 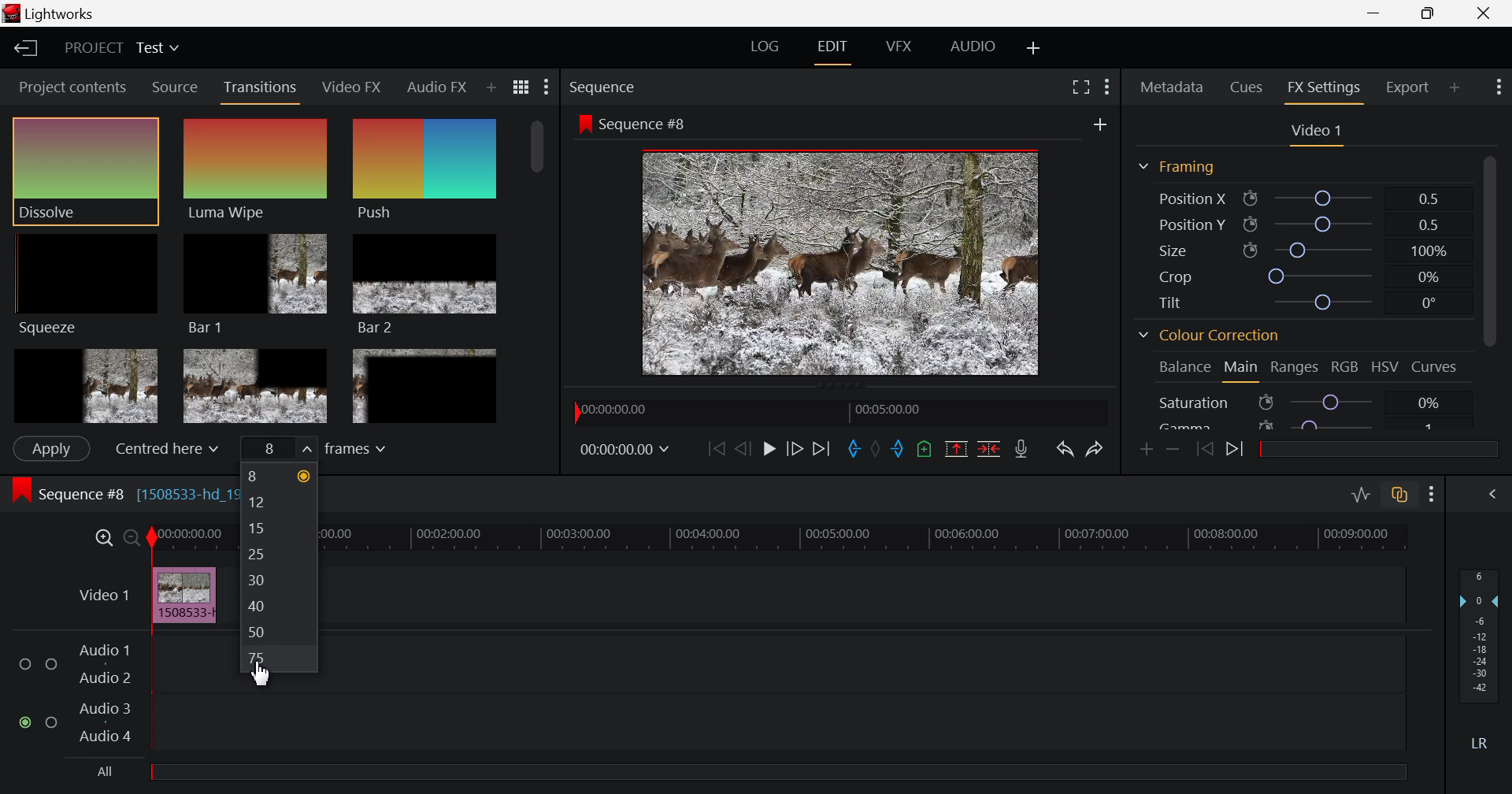 What do you see at coordinates (520, 87) in the screenshot?
I see `toggle list and title view` at bounding box center [520, 87].